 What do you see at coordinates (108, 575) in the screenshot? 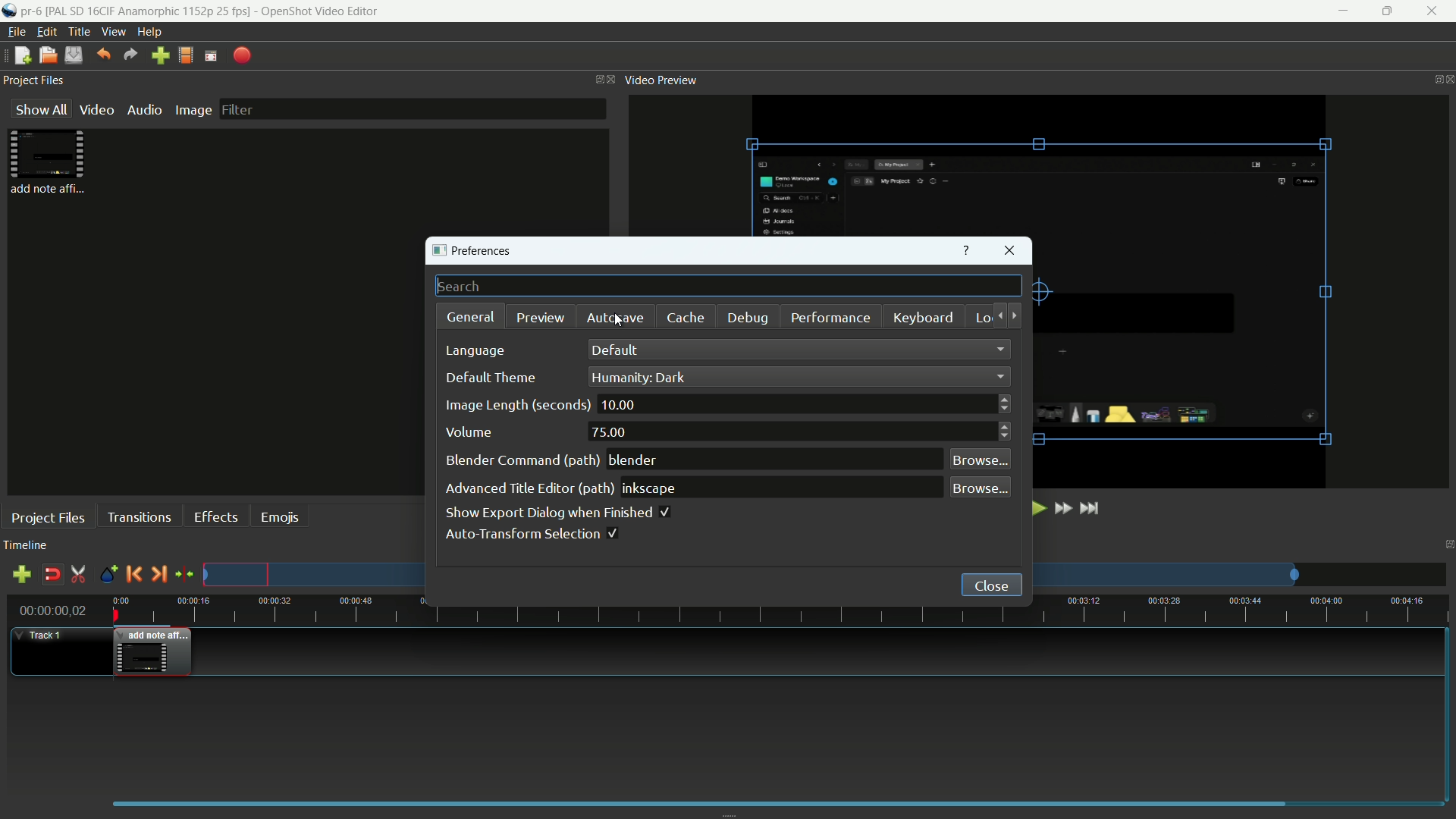
I see `create marker` at bounding box center [108, 575].